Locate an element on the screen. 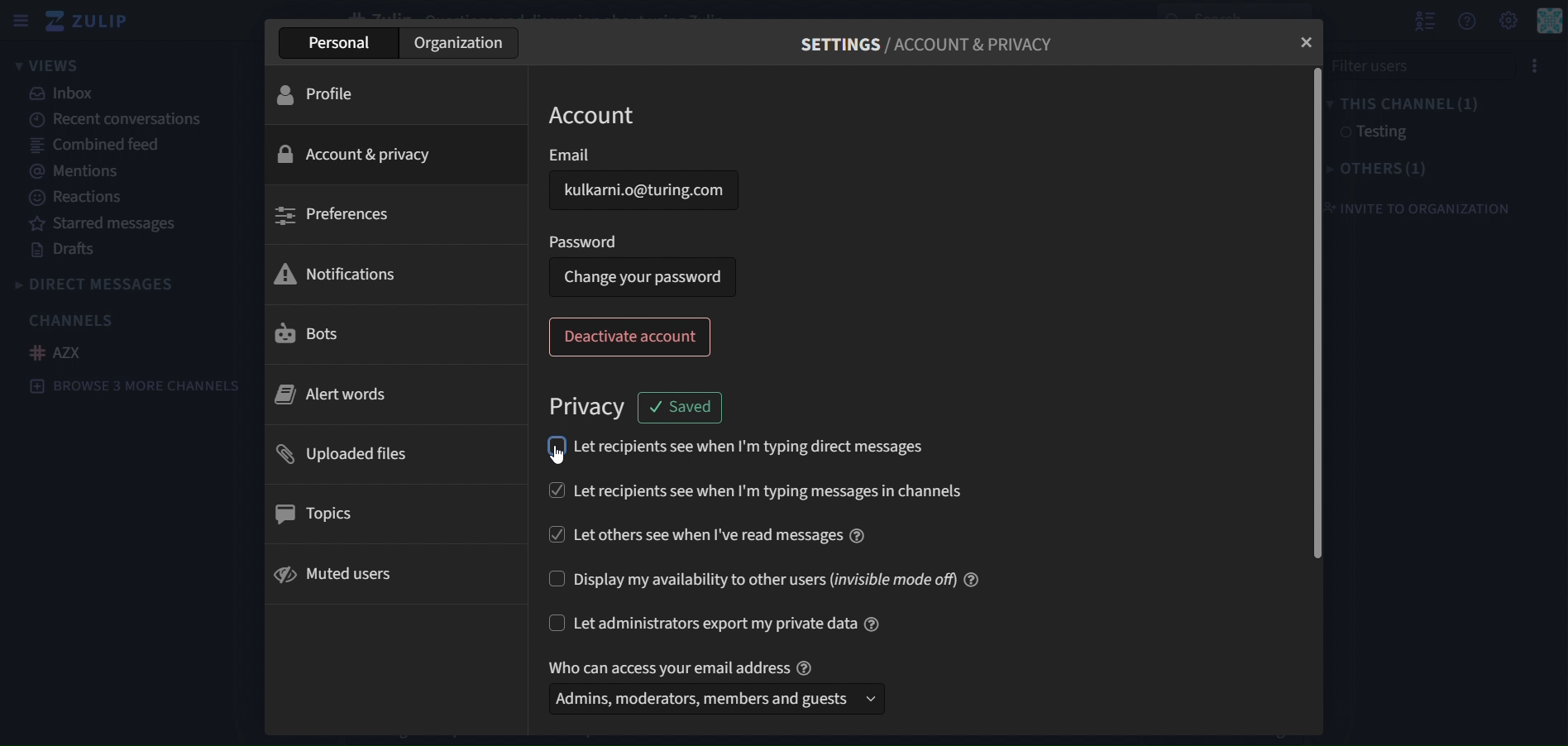 The height and width of the screenshot is (746, 1568). let recipients see when I've read messages is located at coordinates (716, 533).